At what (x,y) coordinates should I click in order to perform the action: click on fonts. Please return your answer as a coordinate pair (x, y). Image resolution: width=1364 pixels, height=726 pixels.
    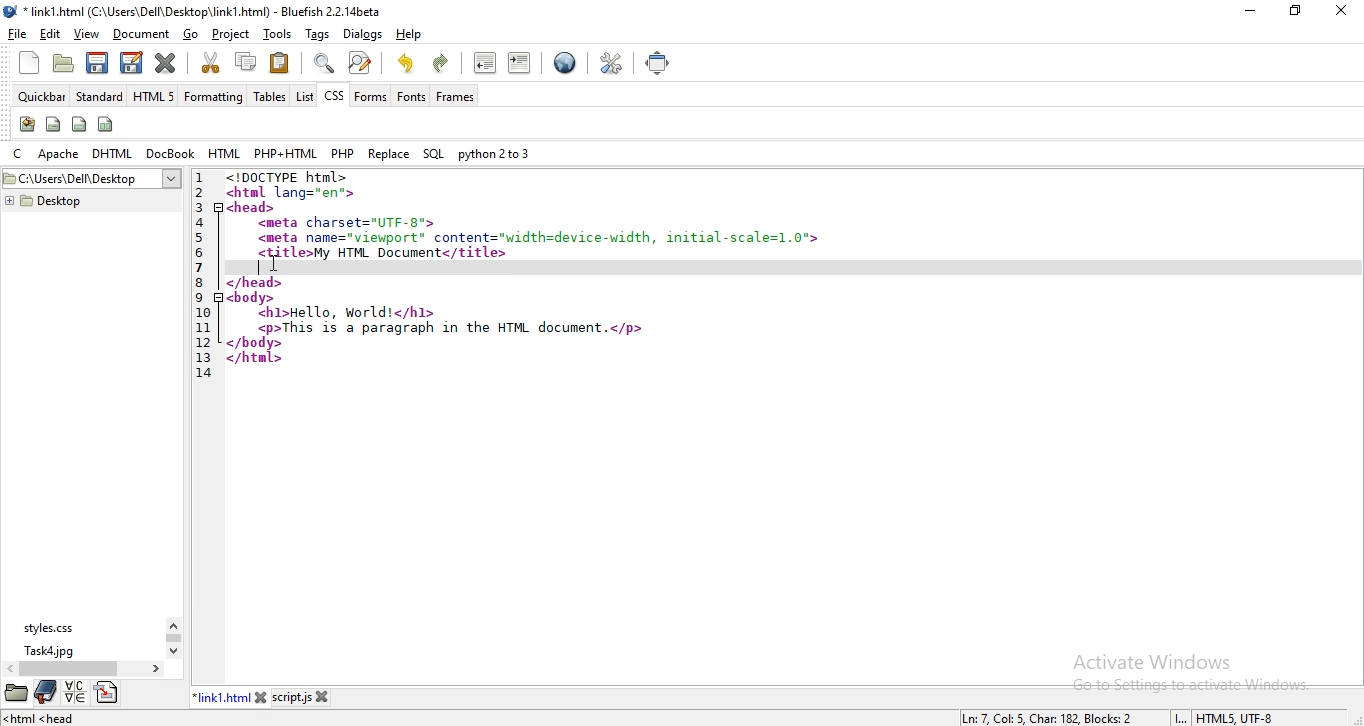
    Looking at the image, I should click on (410, 96).